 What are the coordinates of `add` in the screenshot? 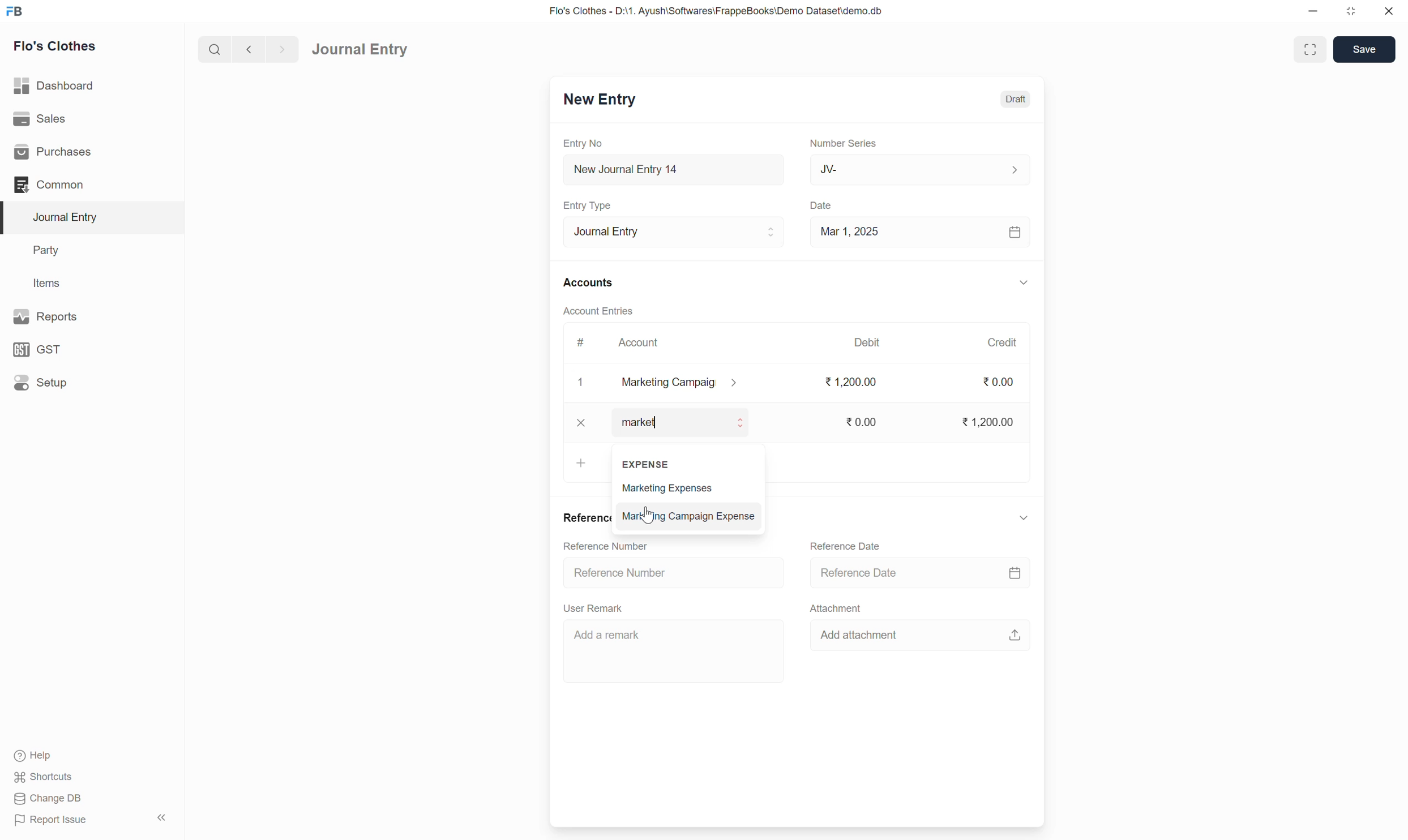 It's located at (579, 463).